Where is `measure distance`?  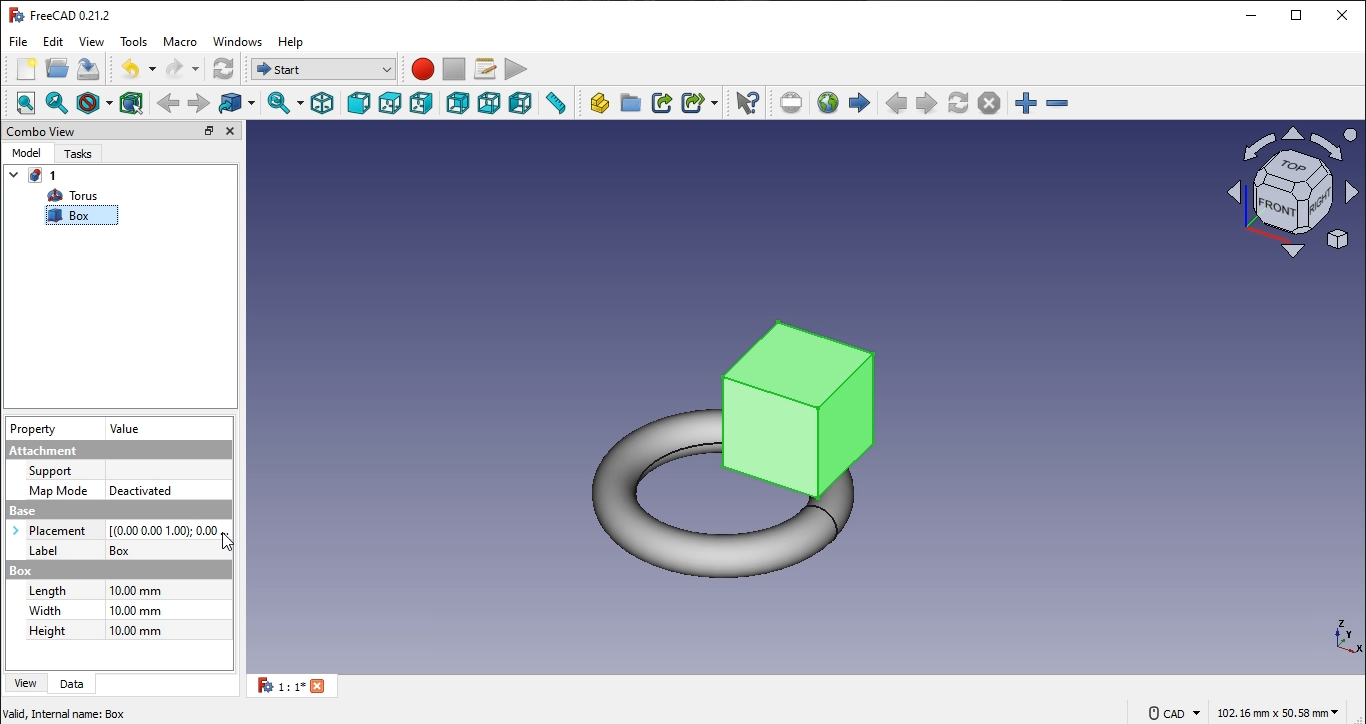
measure distance is located at coordinates (556, 104).